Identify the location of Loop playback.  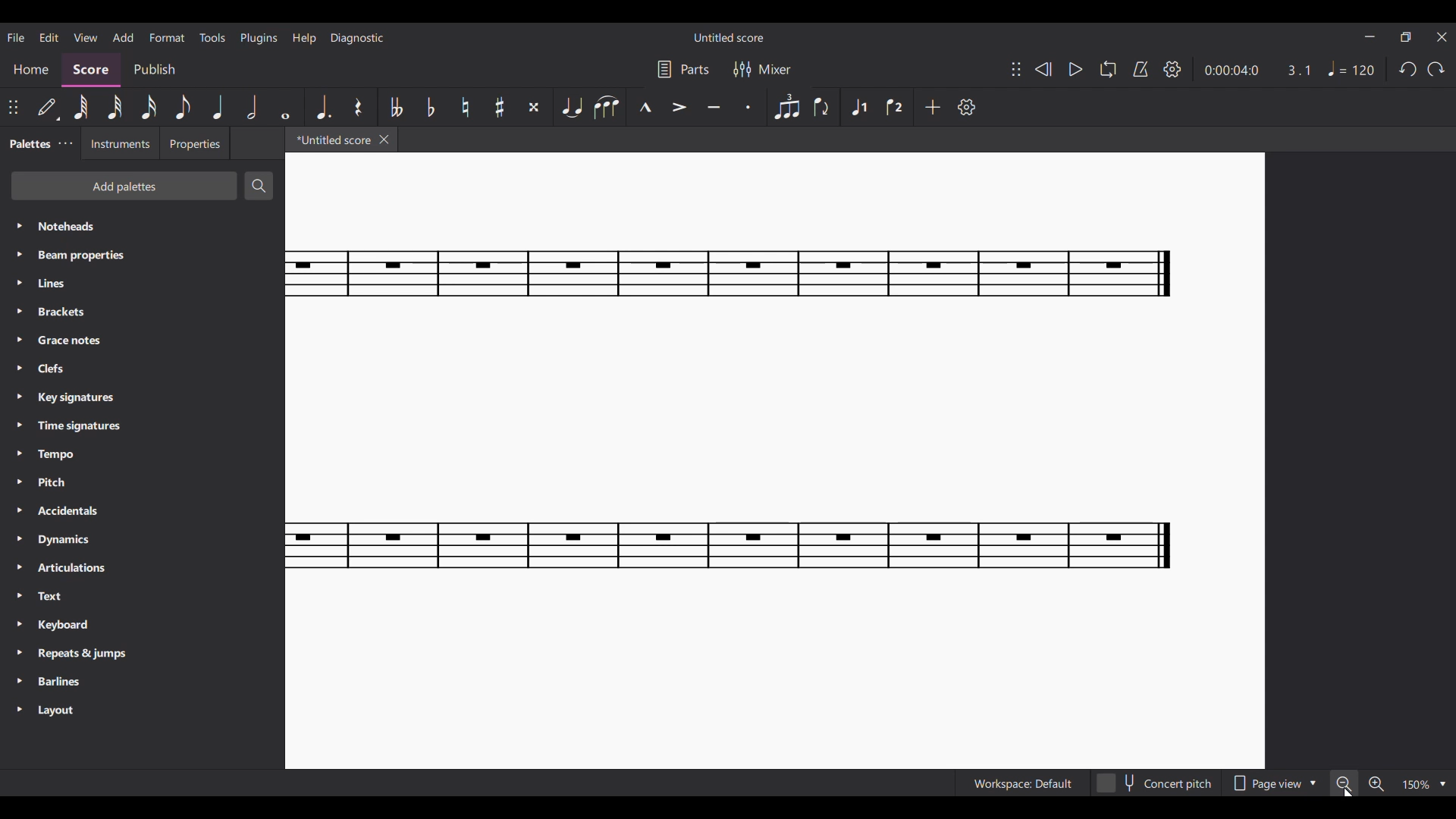
(1109, 69).